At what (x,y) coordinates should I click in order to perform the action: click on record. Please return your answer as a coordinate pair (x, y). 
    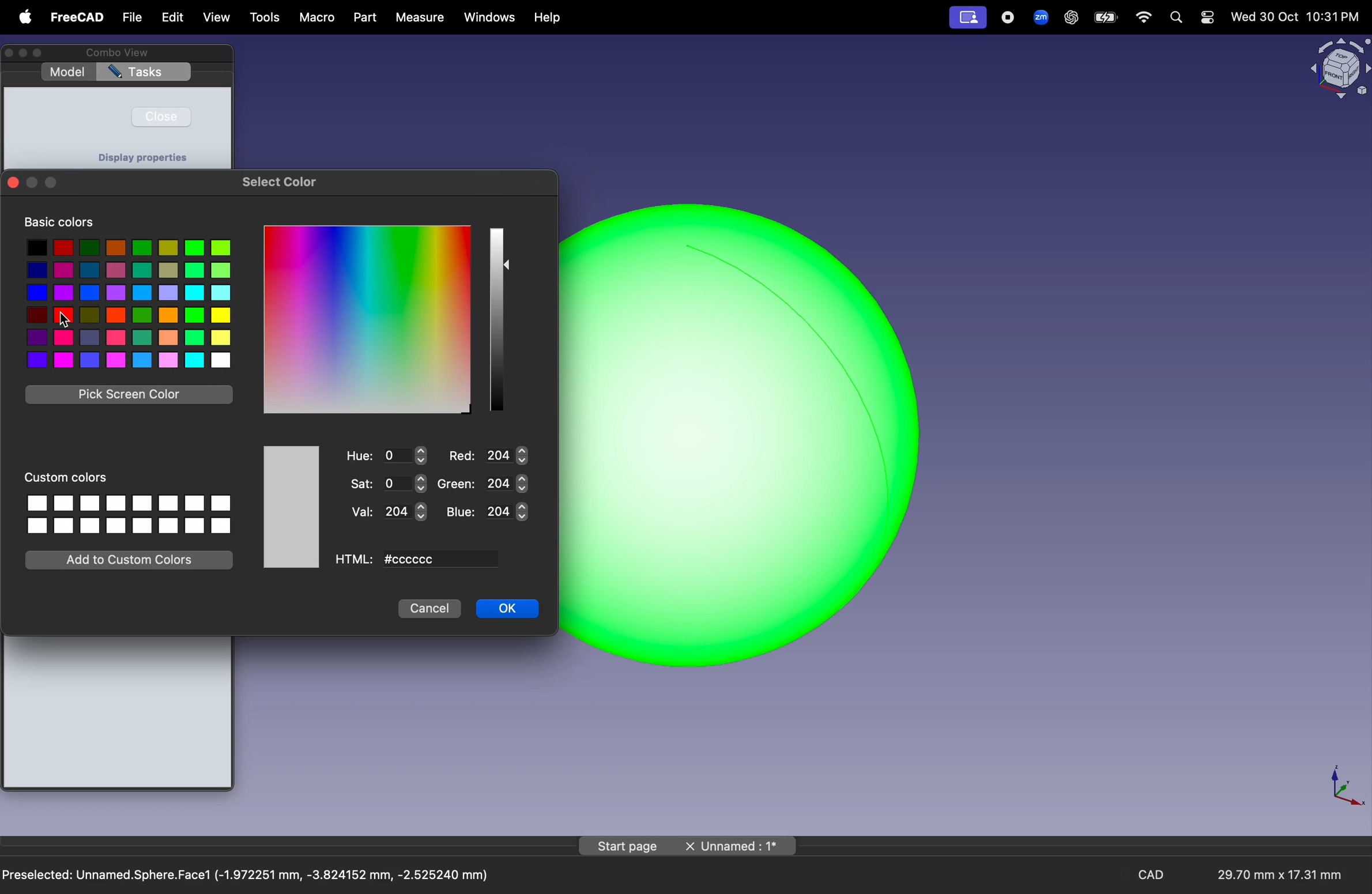
    Looking at the image, I should click on (1009, 17).